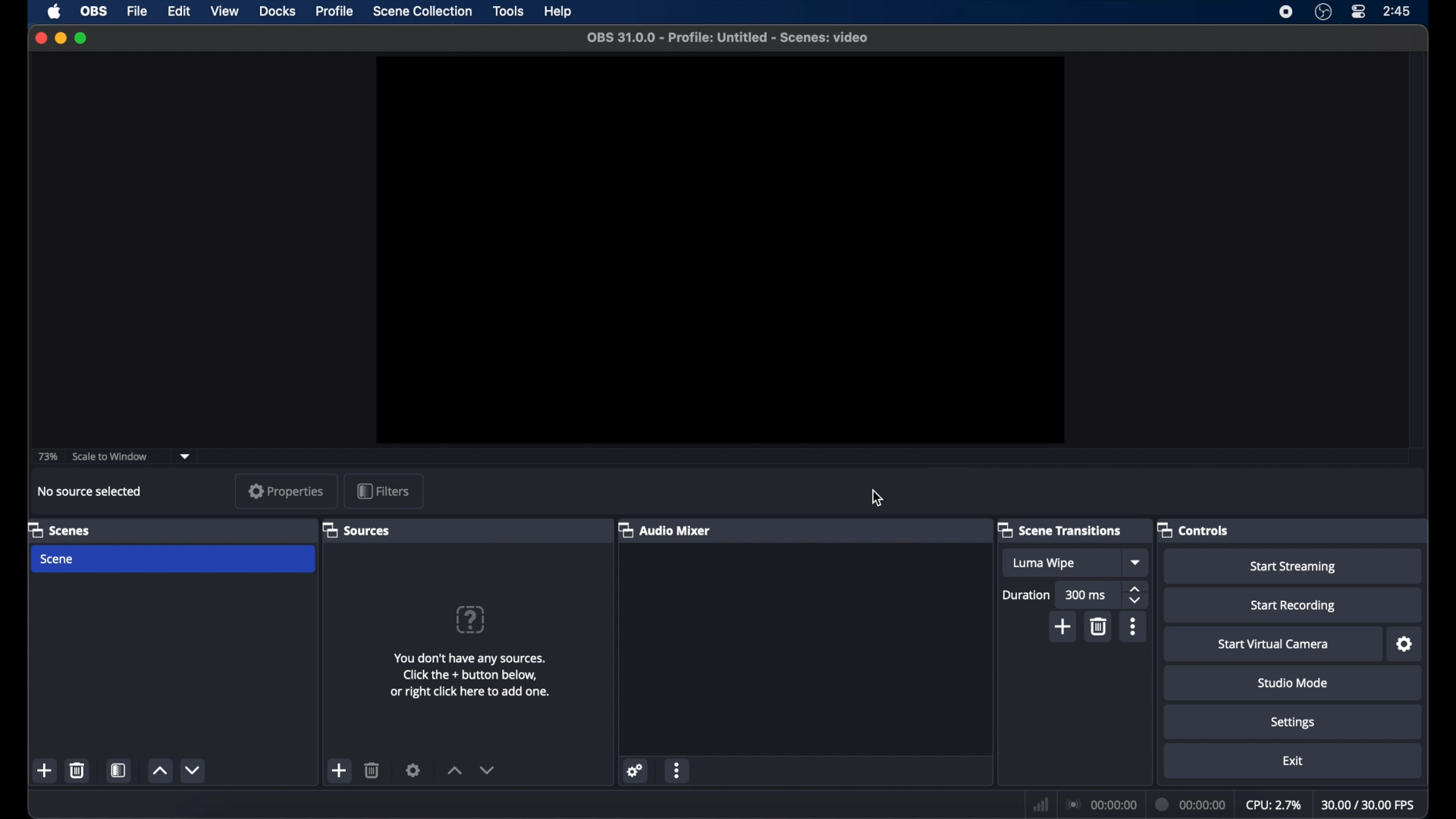 The width and height of the screenshot is (1456, 819). Describe the element at coordinates (340, 770) in the screenshot. I see `add` at that location.